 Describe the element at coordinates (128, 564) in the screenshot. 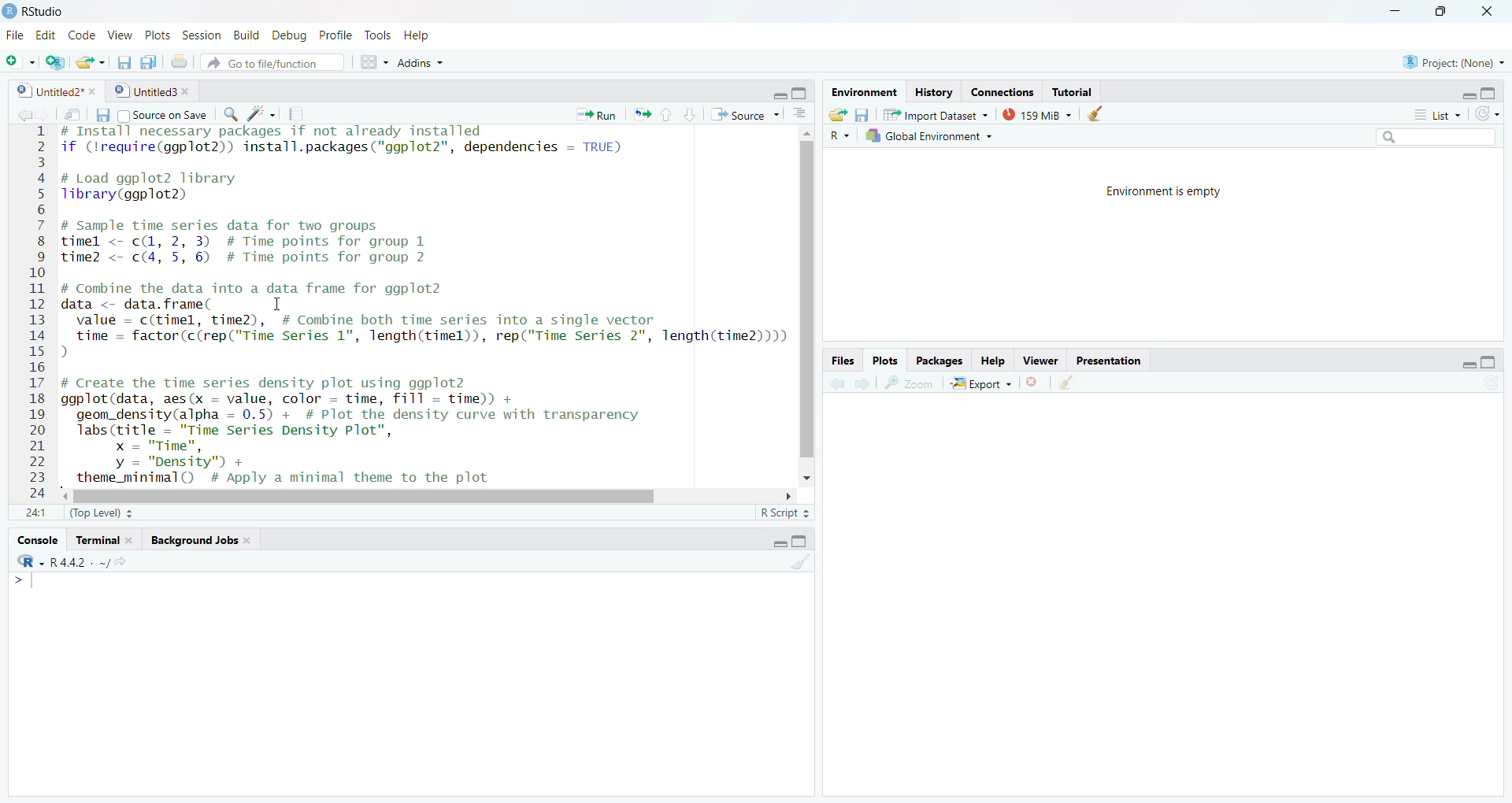

I see `Go` at that location.